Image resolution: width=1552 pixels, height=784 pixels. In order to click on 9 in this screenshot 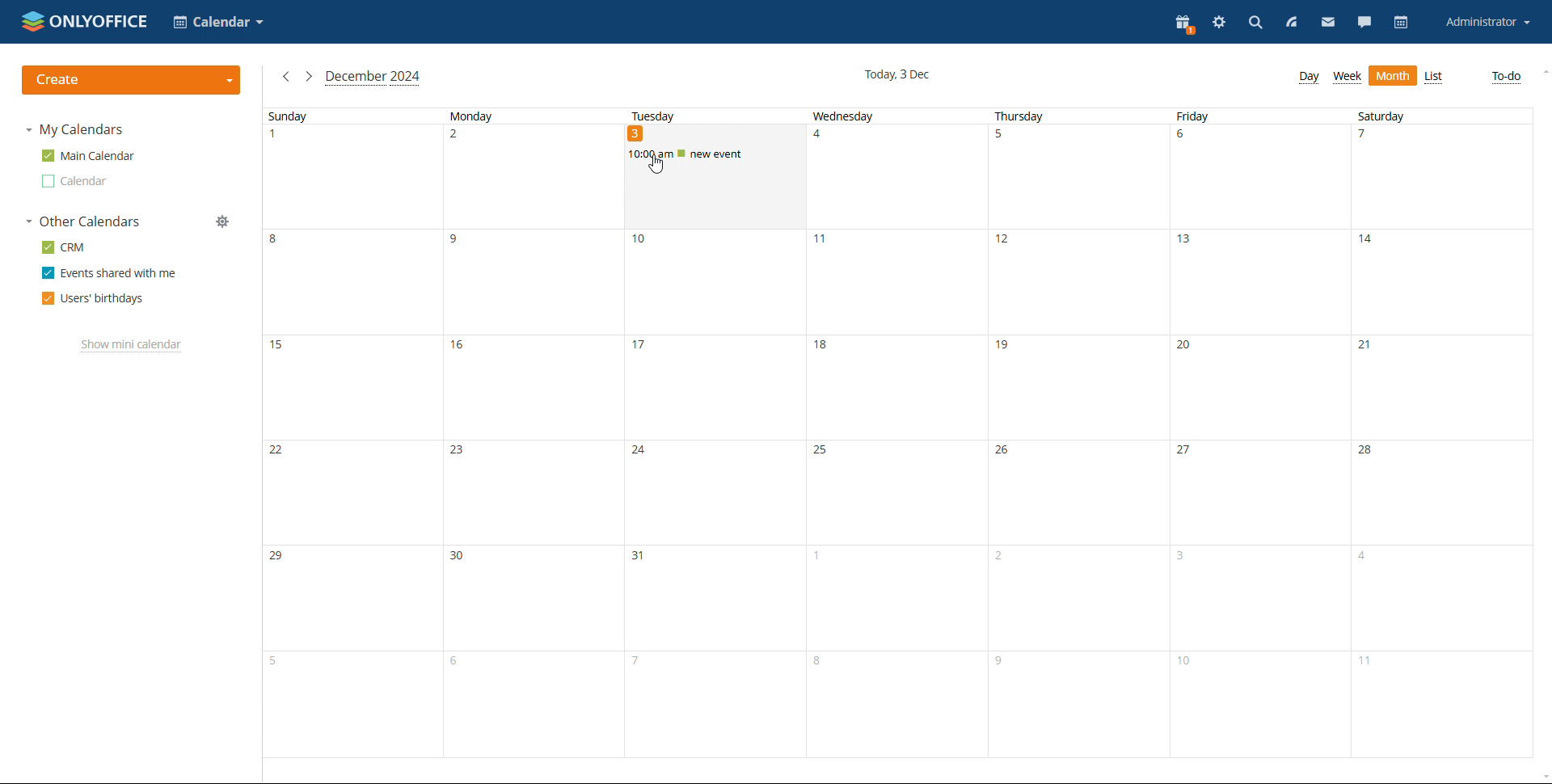, I will do `click(531, 283)`.